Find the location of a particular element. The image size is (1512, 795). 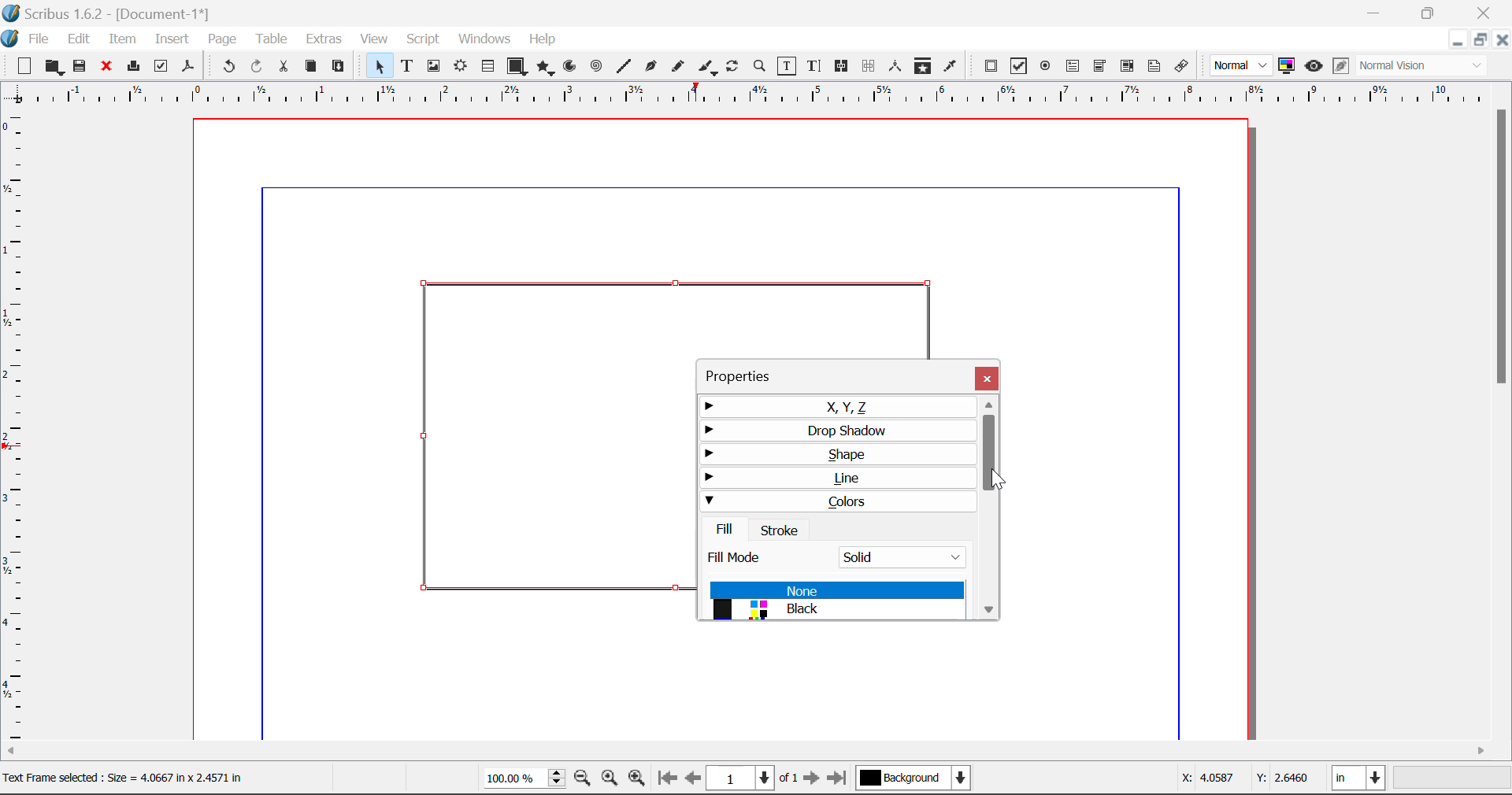

Properties is located at coordinates (748, 374).